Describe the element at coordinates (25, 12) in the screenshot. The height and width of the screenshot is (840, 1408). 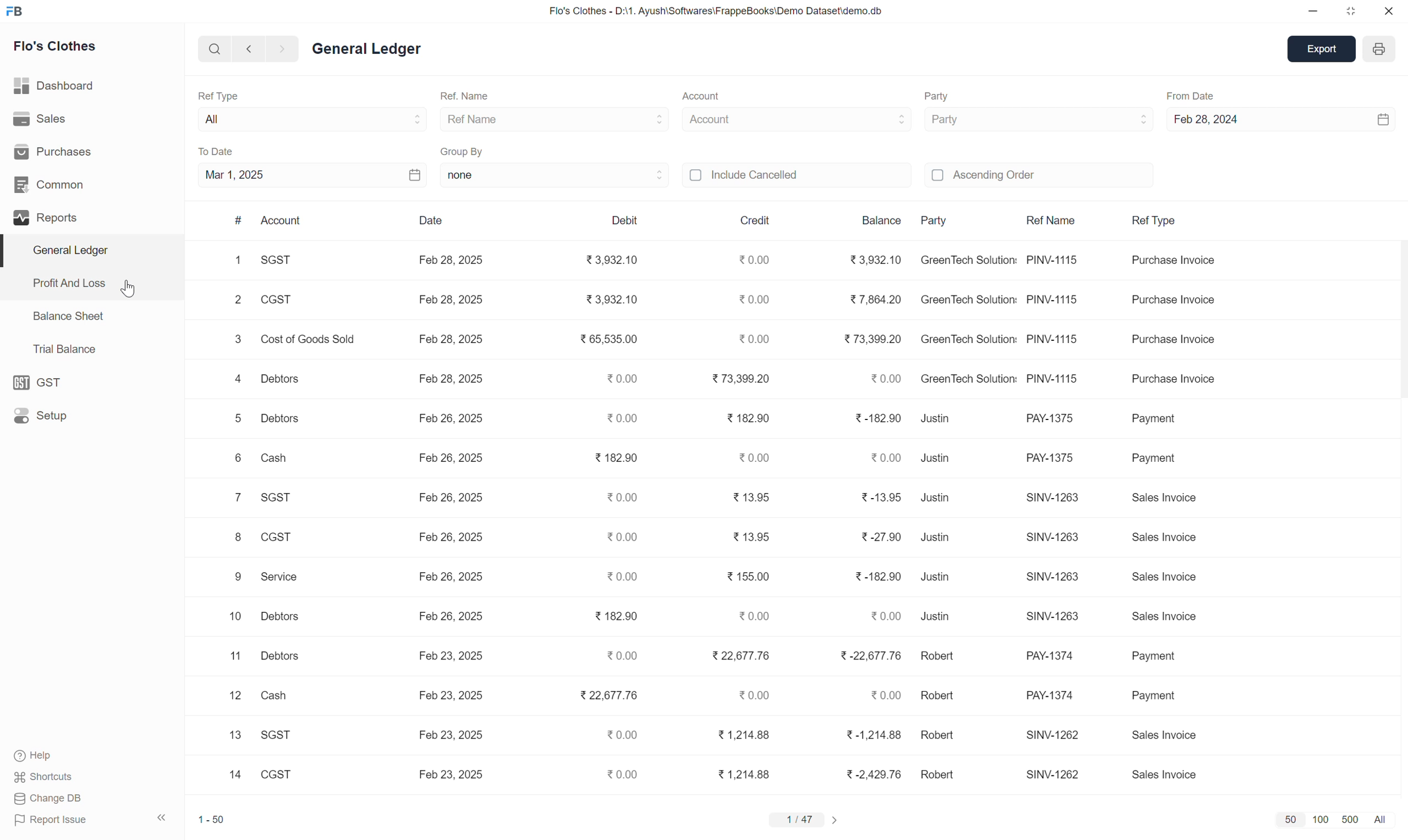
I see `FB` at that location.